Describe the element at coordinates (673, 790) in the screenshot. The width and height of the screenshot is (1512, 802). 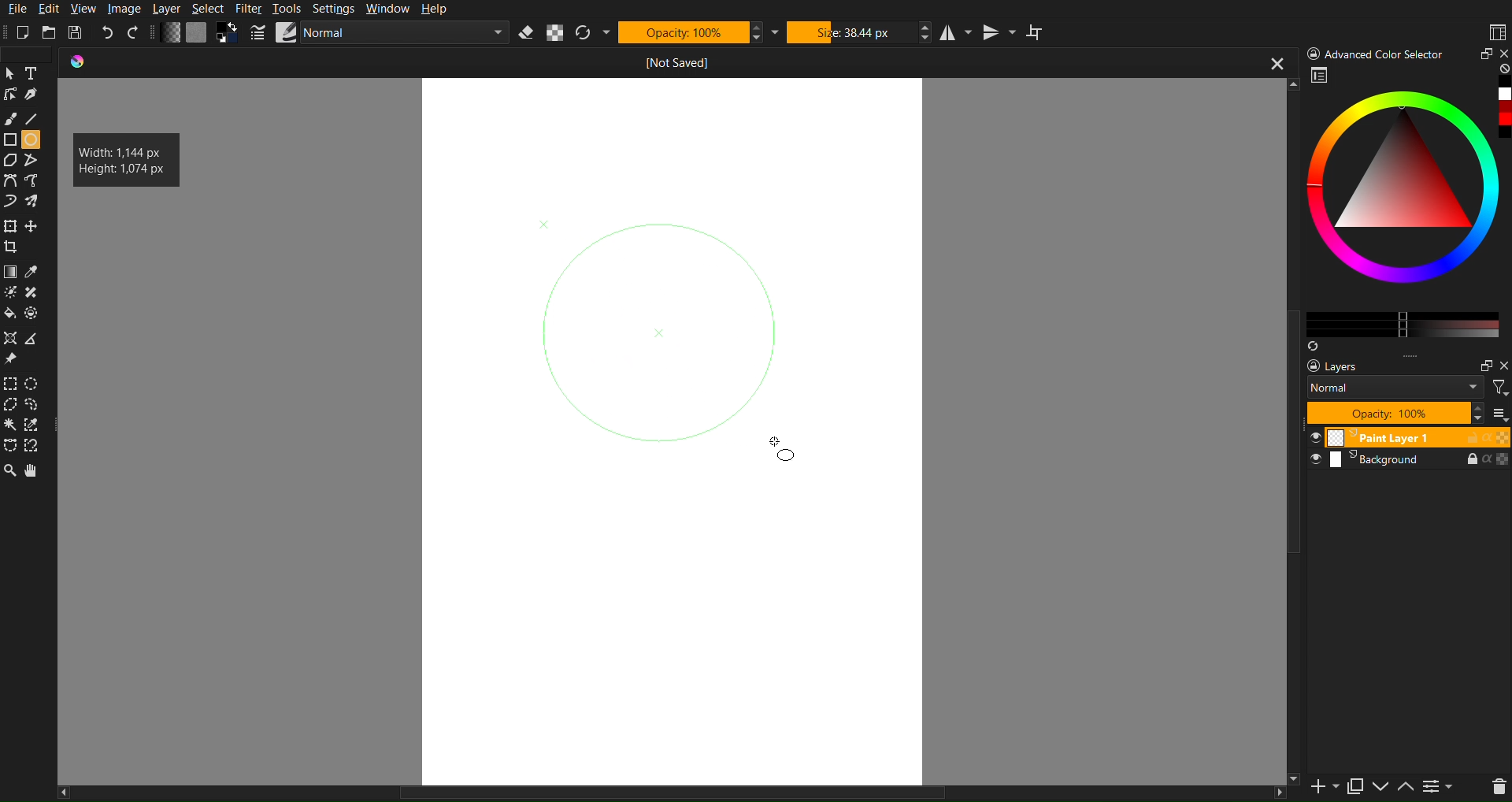
I see `horizontal scrollbar` at that location.